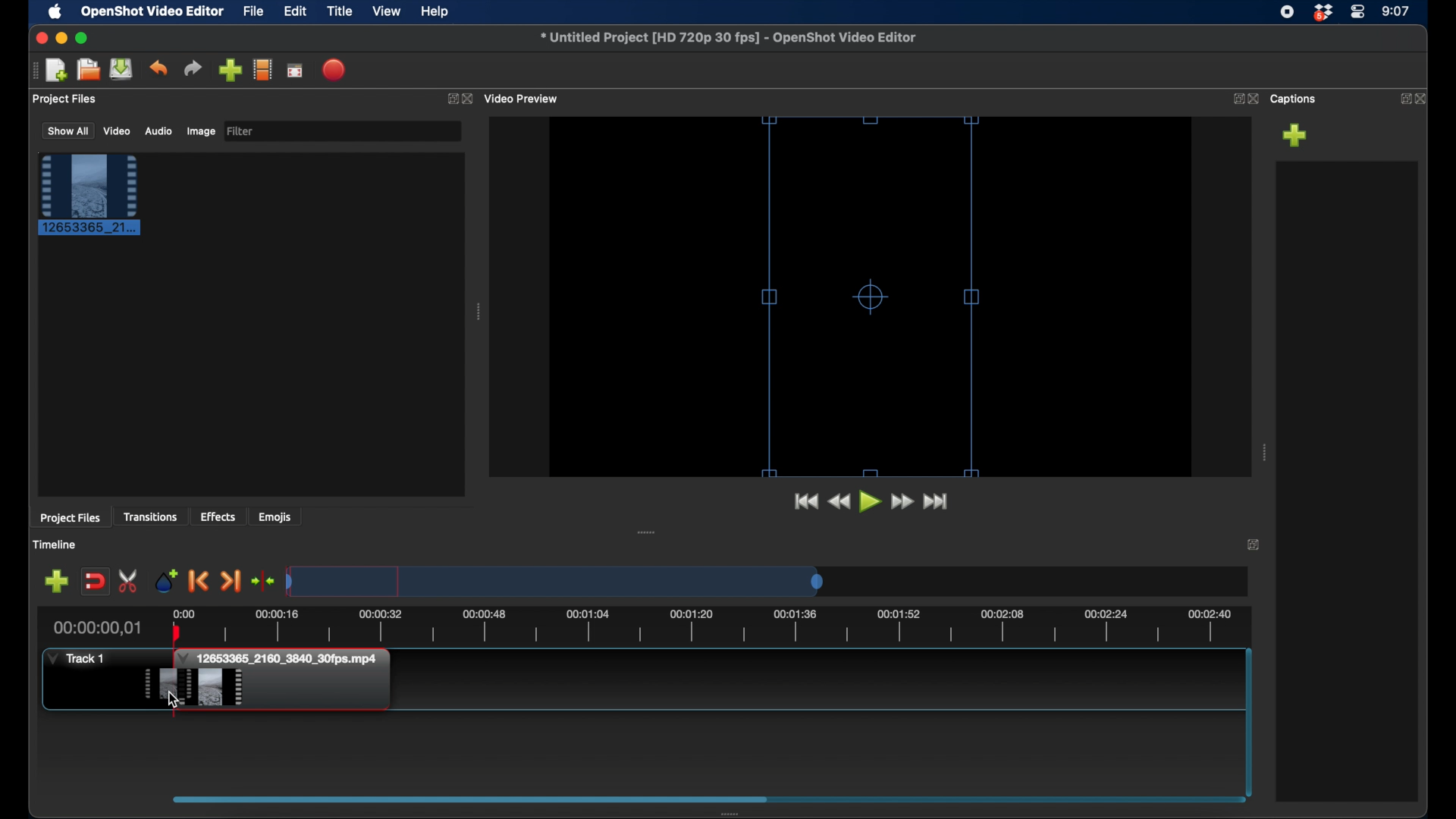 The width and height of the screenshot is (1456, 819). What do you see at coordinates (646, 531) in the screenshot?
I see `drag handle` at bounding box center [646, 531].